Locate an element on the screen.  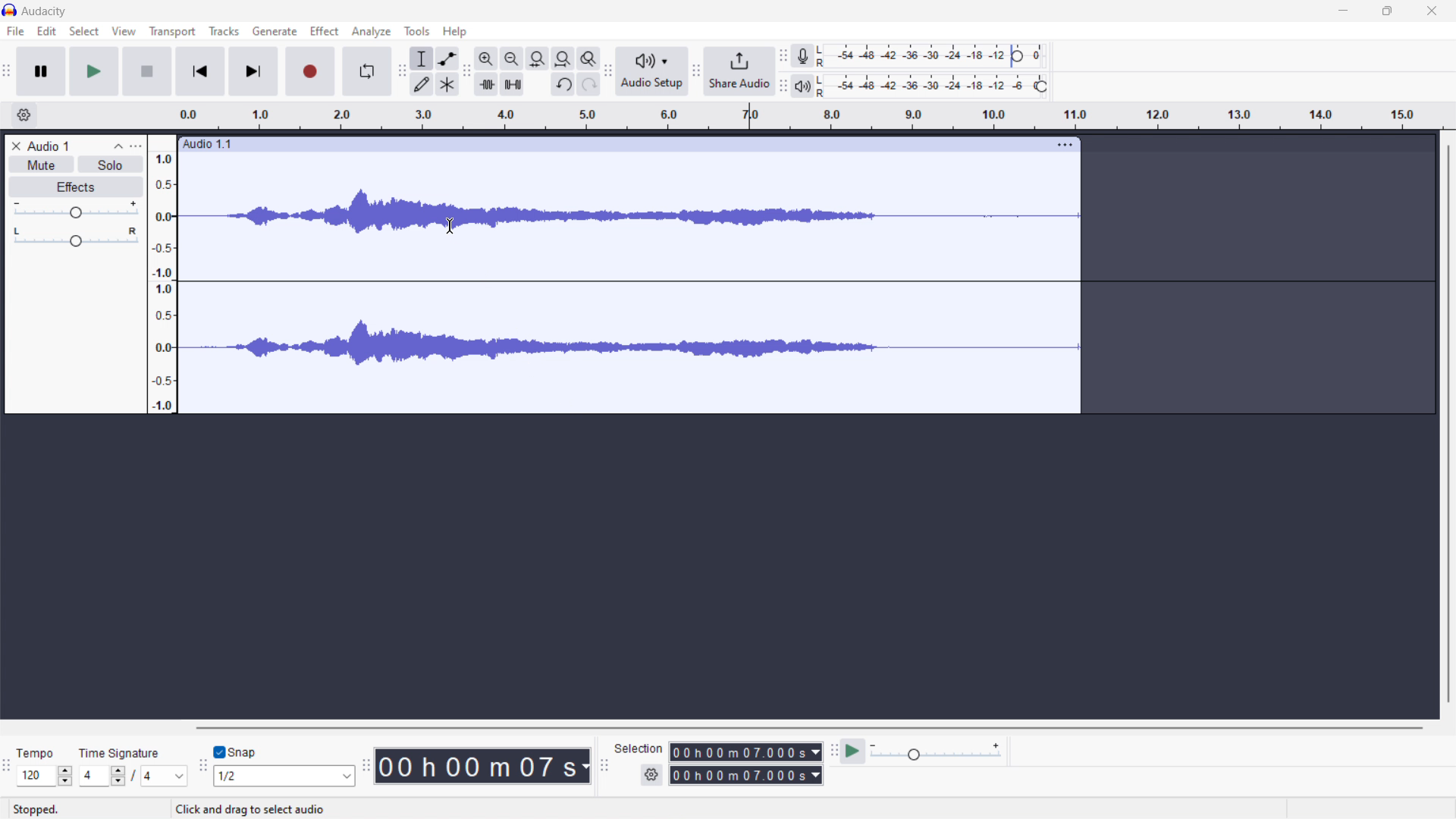
120 is located at coordinates (45, 776).